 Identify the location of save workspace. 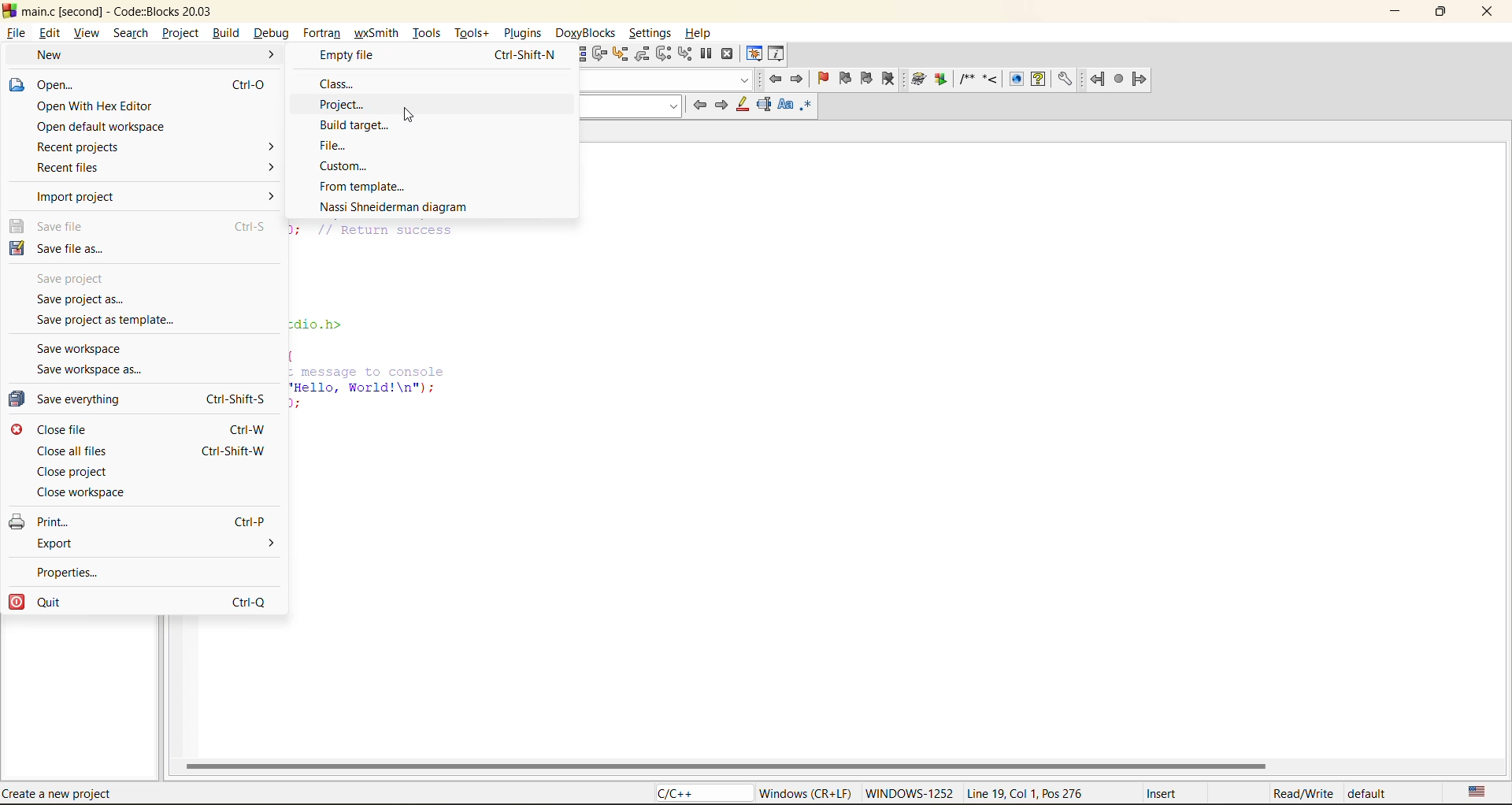
(92, 347).